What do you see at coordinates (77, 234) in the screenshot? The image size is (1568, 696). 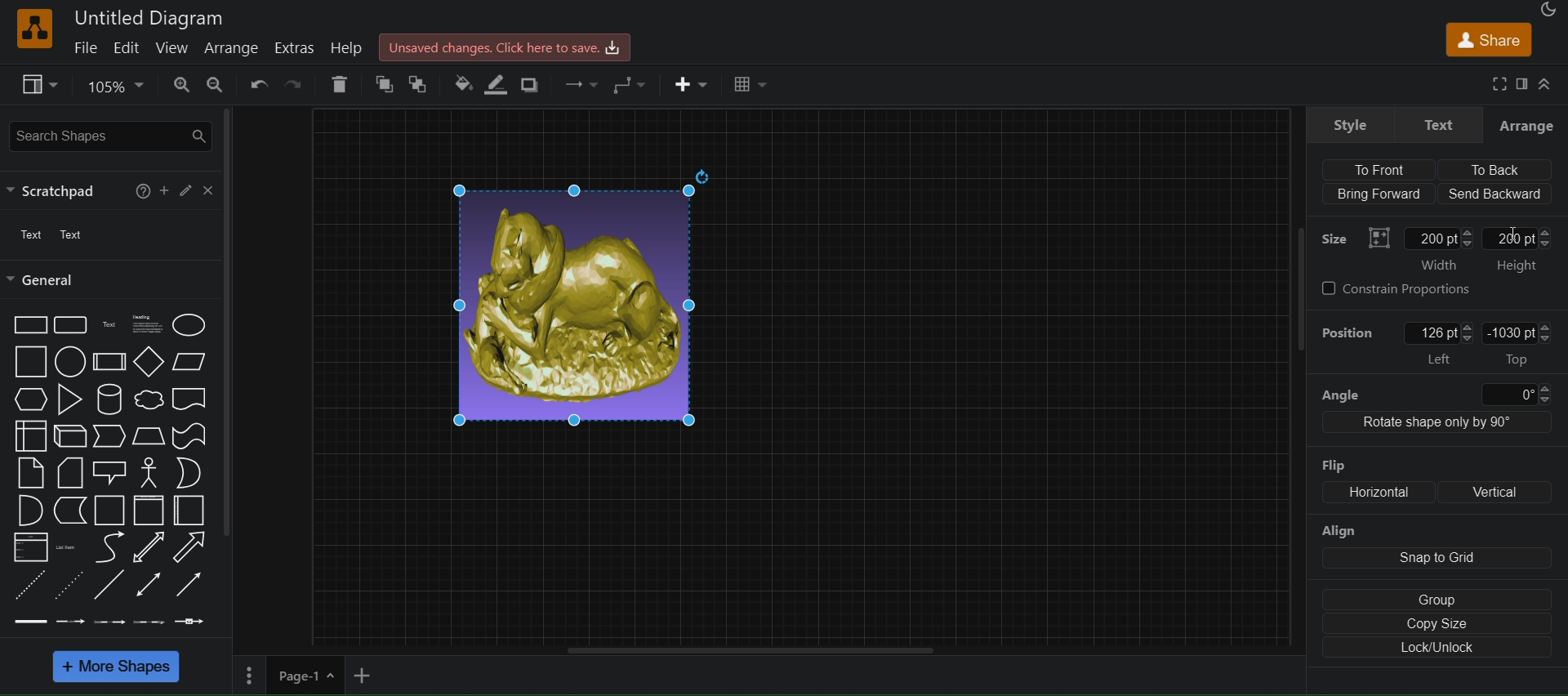 I see `Text` at bounding box center [77, 234].